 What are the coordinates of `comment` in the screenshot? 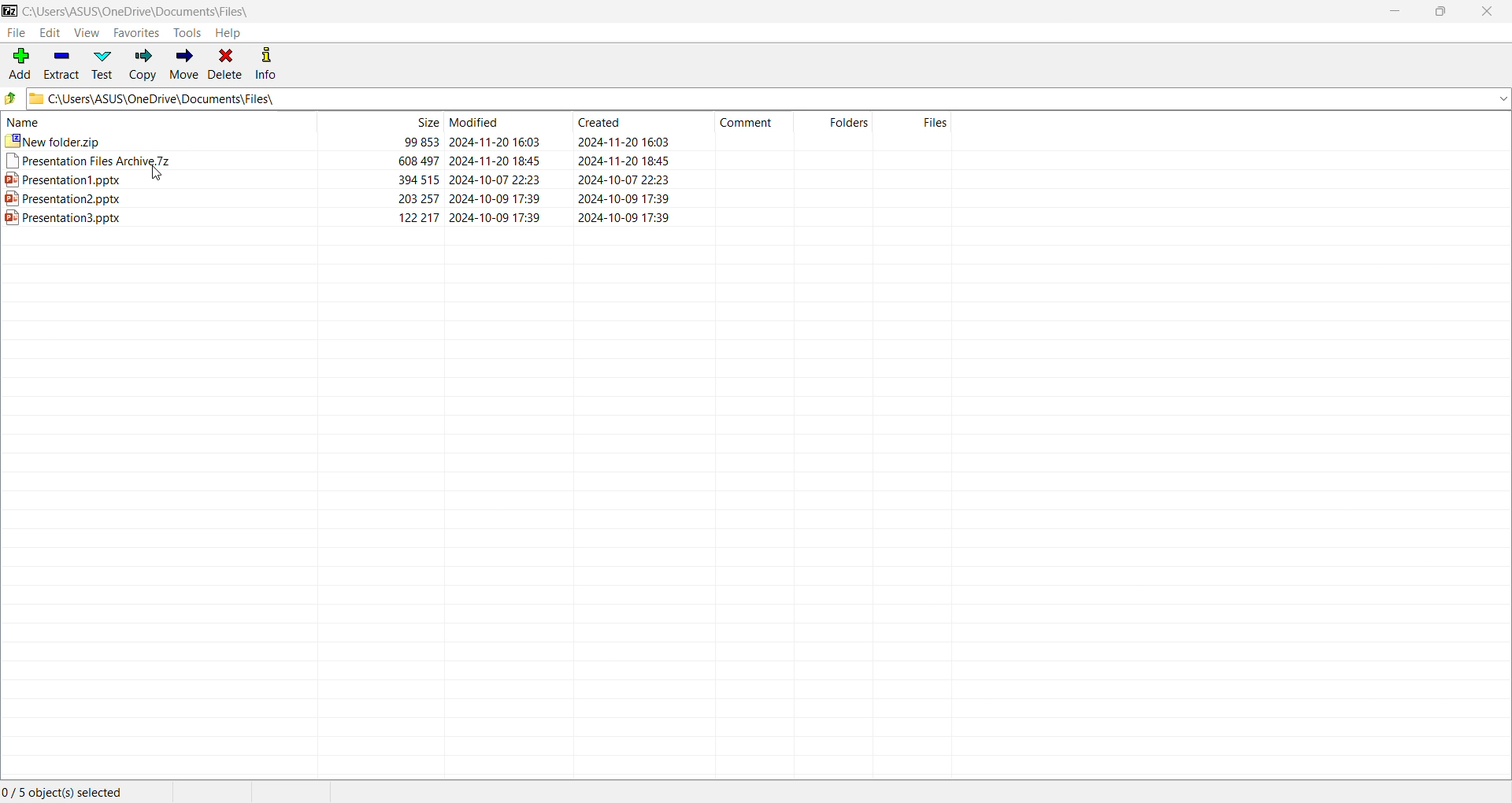 It's located at (752, 124).